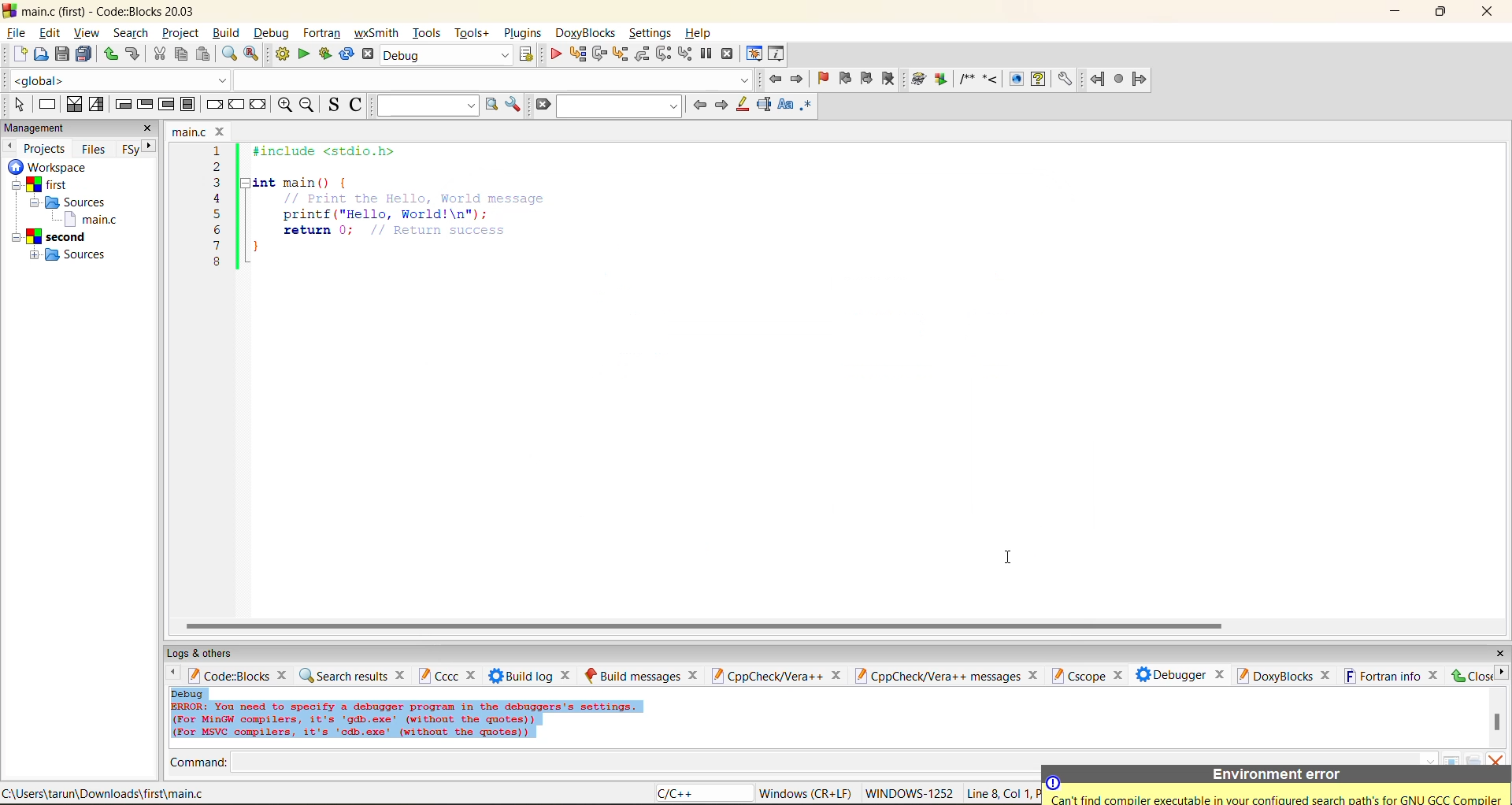 The image size is (1512, 805). What do you see at coordinates (43, 185) in the screenshot?
I see `first project` at bounding box center [43, 185].